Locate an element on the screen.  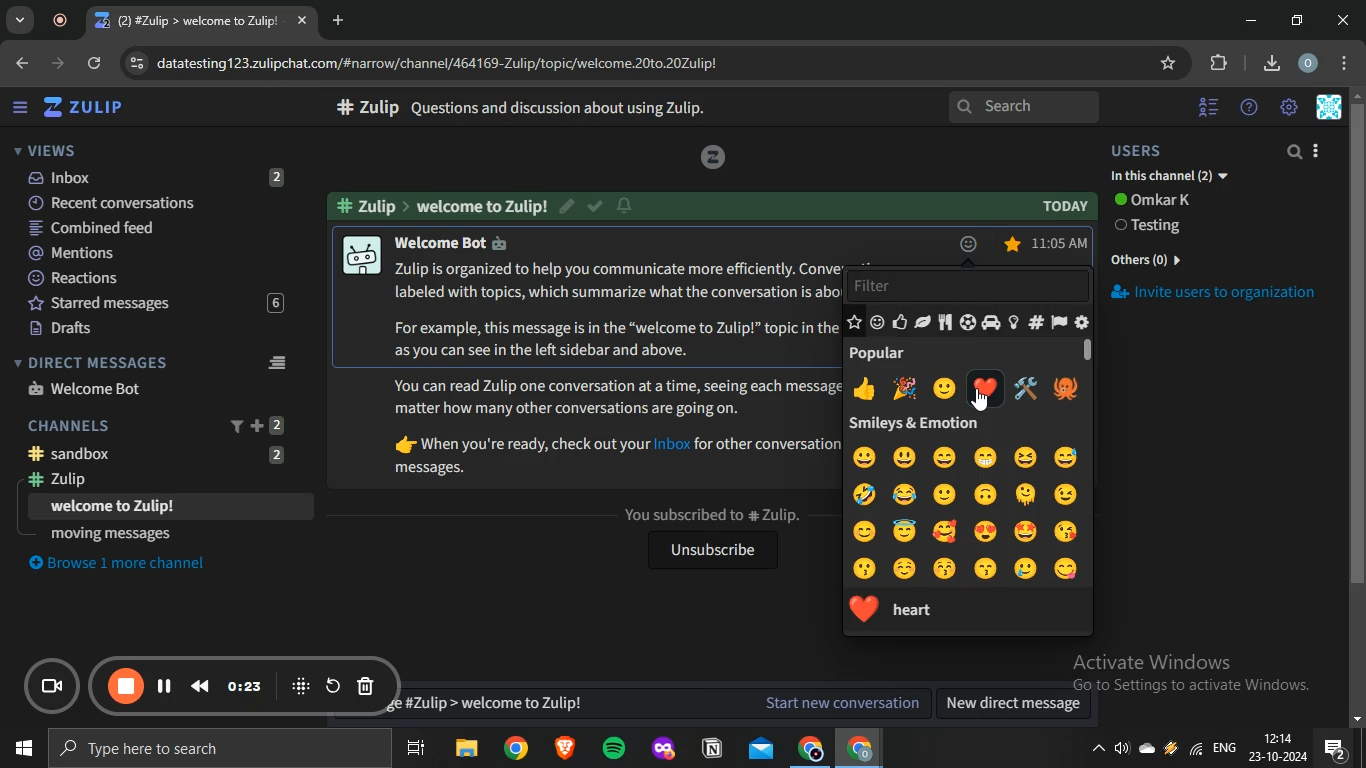
laughing is located at coordinates (1025, 456).